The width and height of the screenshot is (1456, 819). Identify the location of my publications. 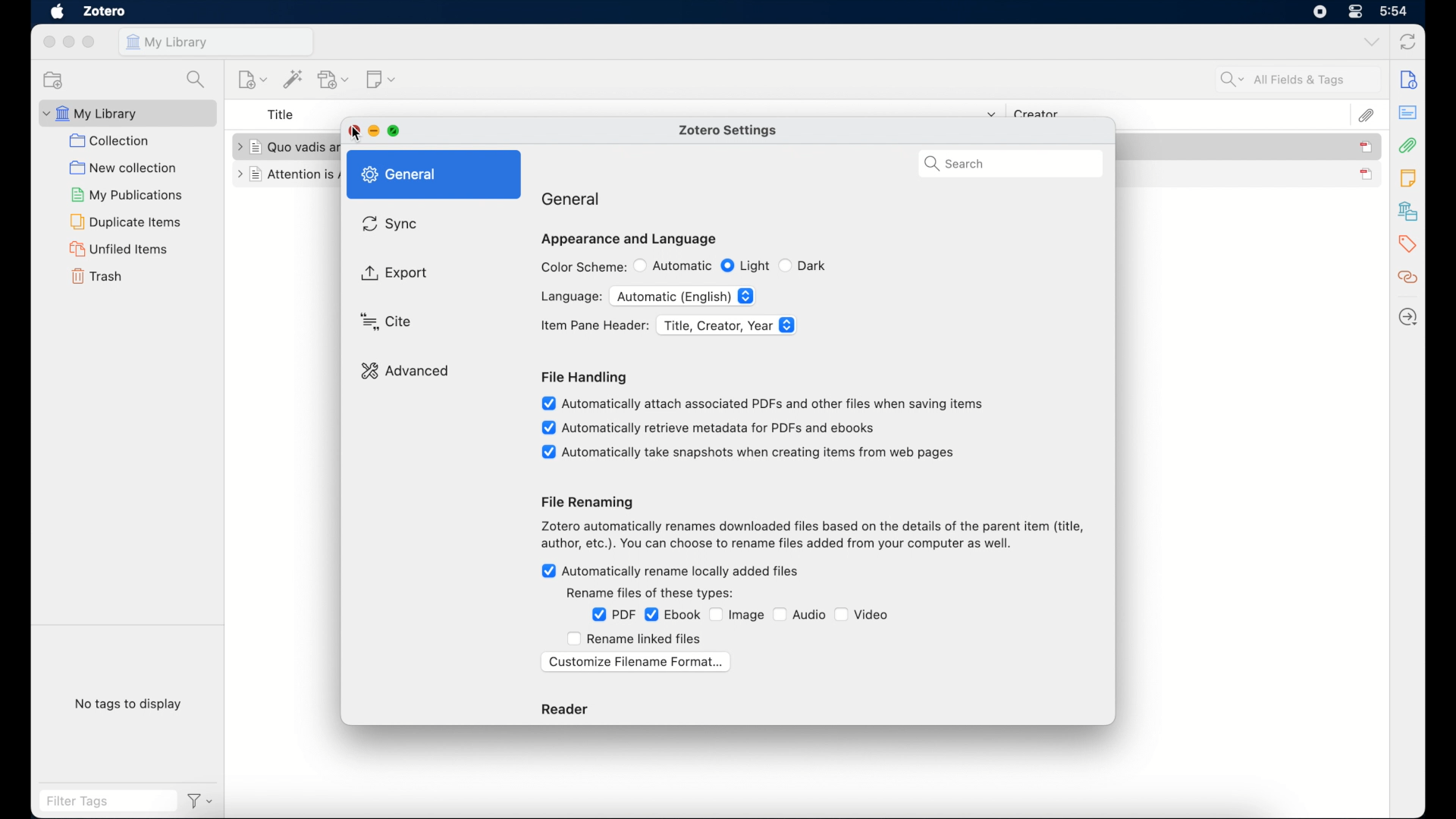
(129, 195).